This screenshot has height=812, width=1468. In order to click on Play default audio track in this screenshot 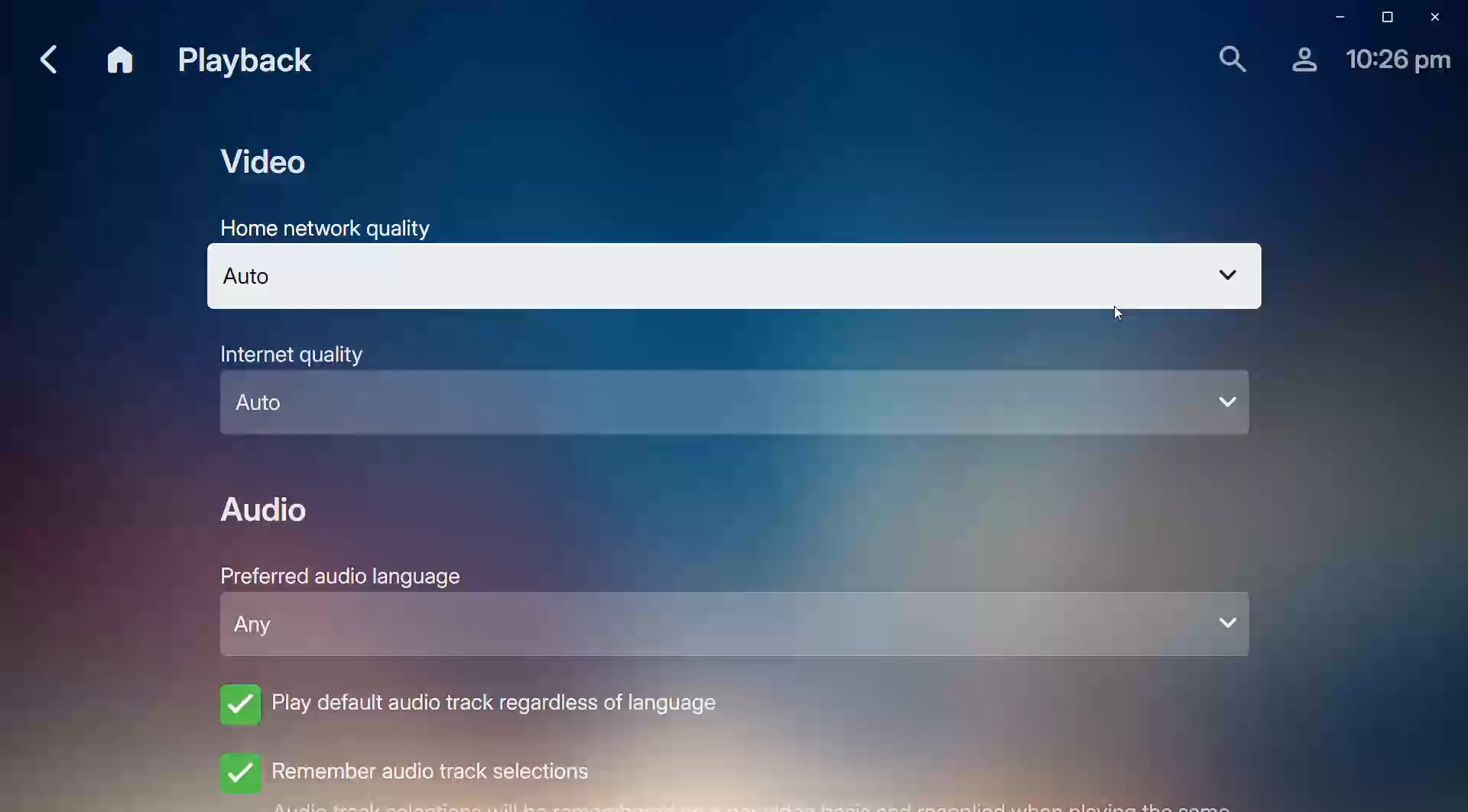, I will do `click(489, 708)`.